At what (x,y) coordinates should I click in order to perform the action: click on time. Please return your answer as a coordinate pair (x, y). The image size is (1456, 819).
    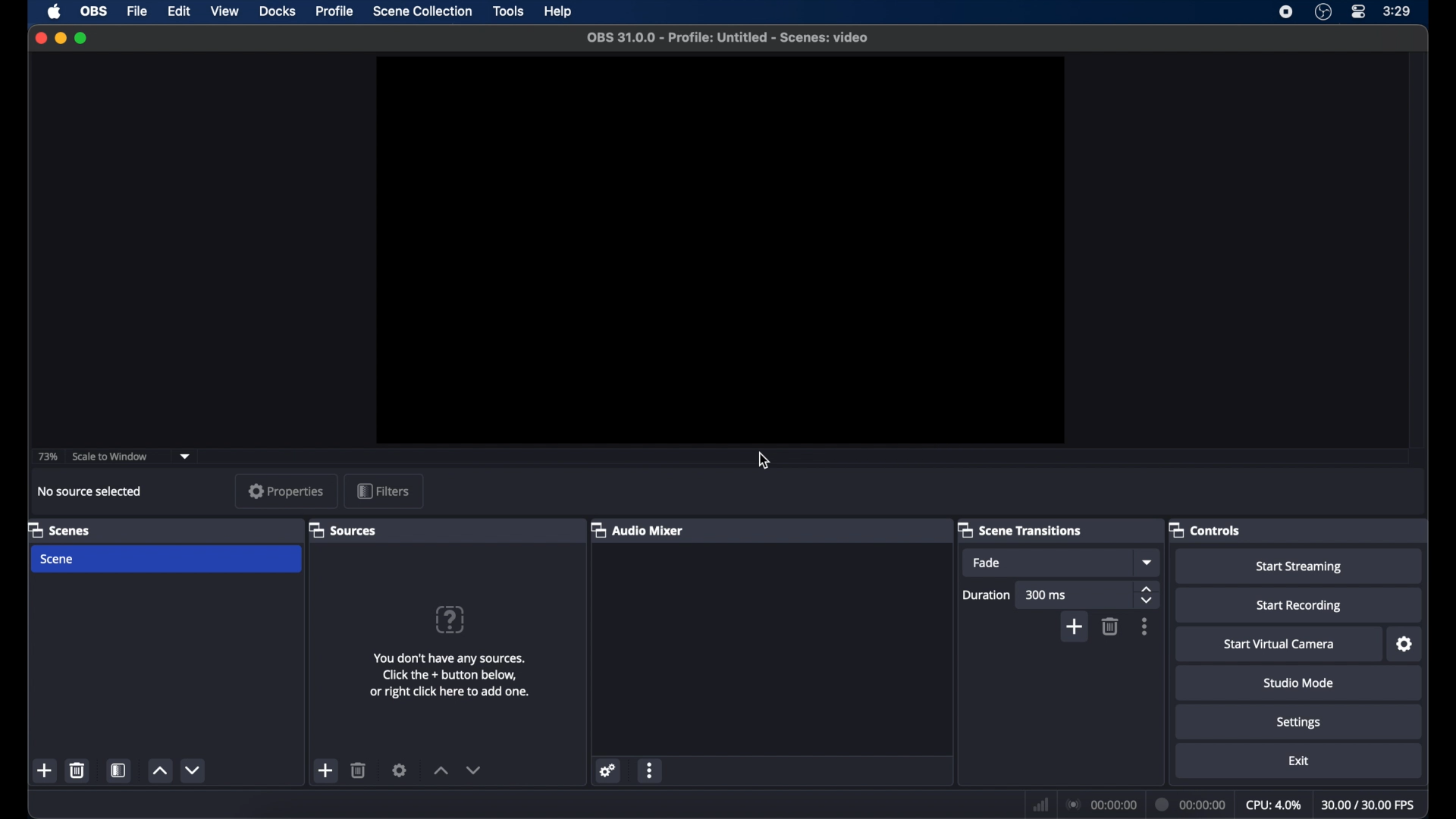
    Looking at the image, I should click on (1398, 11).